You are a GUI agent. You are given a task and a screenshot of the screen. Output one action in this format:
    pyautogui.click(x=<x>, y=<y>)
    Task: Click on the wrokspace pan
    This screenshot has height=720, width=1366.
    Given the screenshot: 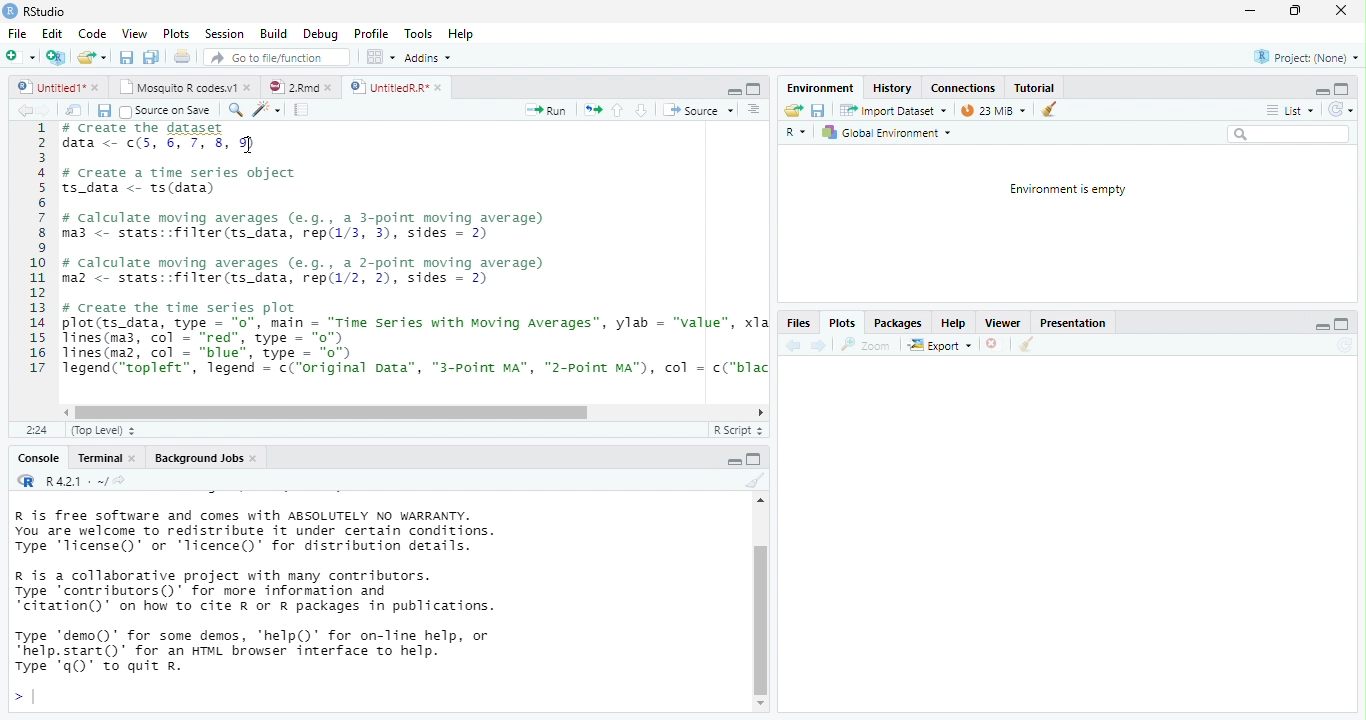 What is the action you would take?
    pyautogui.click(x=379, y=57)
    